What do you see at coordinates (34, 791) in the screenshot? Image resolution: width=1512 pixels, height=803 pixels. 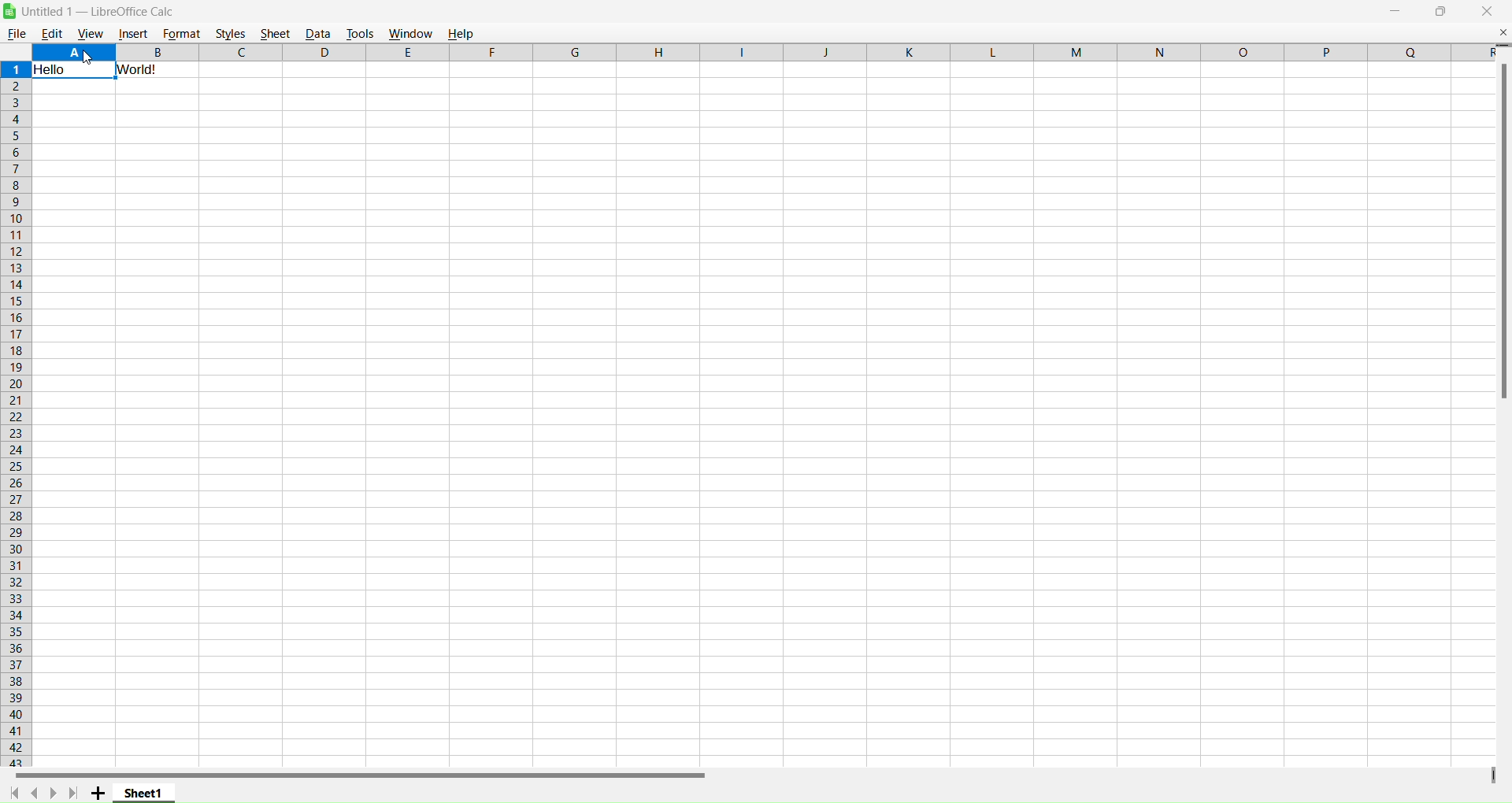 I see `Previous Slide` at bounding box center [34, 791].